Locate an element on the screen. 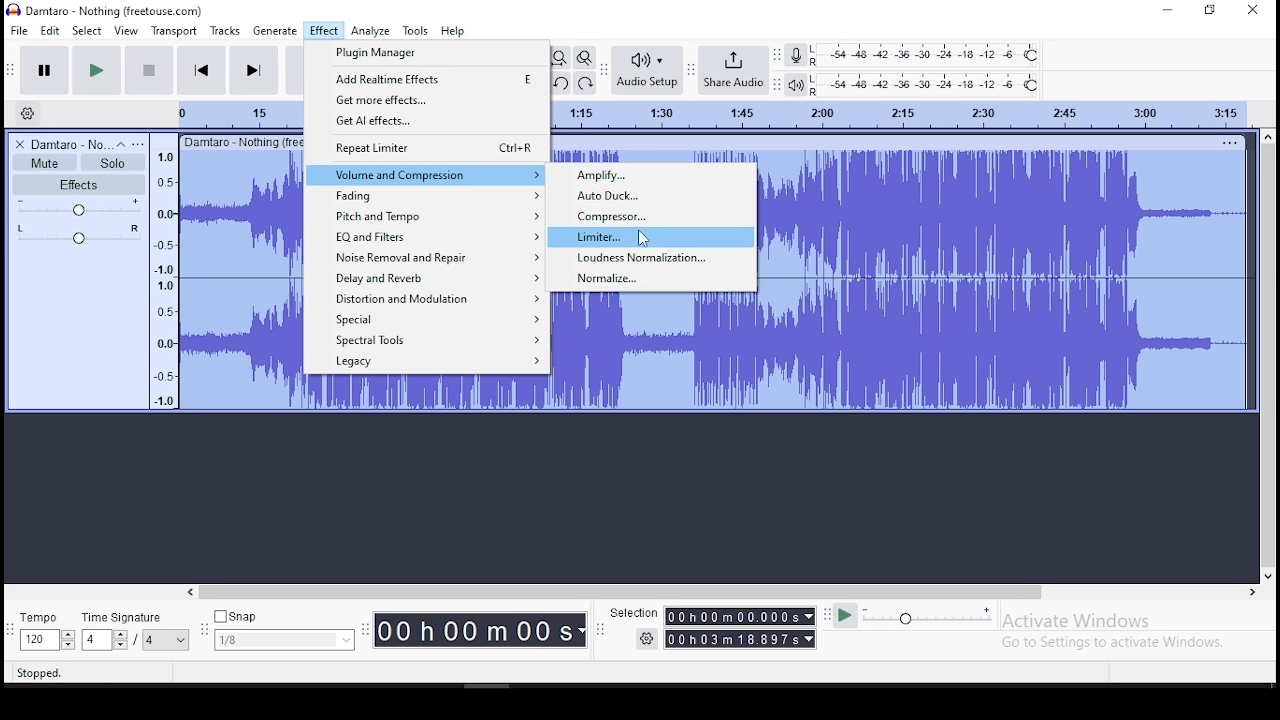 Image resolution: width=1280 pixels, height=720 pixels. spectral tools is located at coordinates (430, 339).